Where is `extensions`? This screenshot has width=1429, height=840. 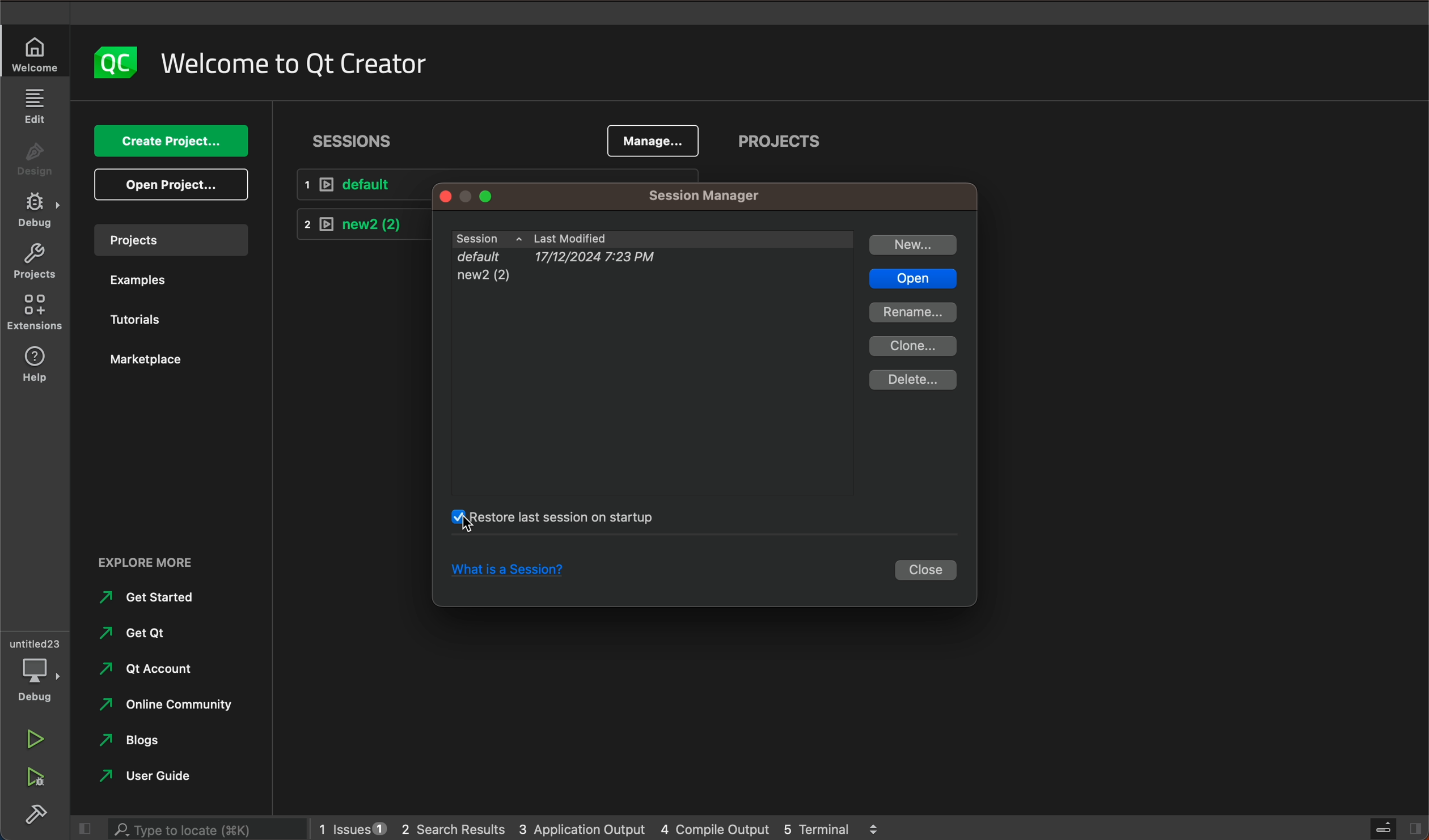 extensions is located at coordinates (38, 314).